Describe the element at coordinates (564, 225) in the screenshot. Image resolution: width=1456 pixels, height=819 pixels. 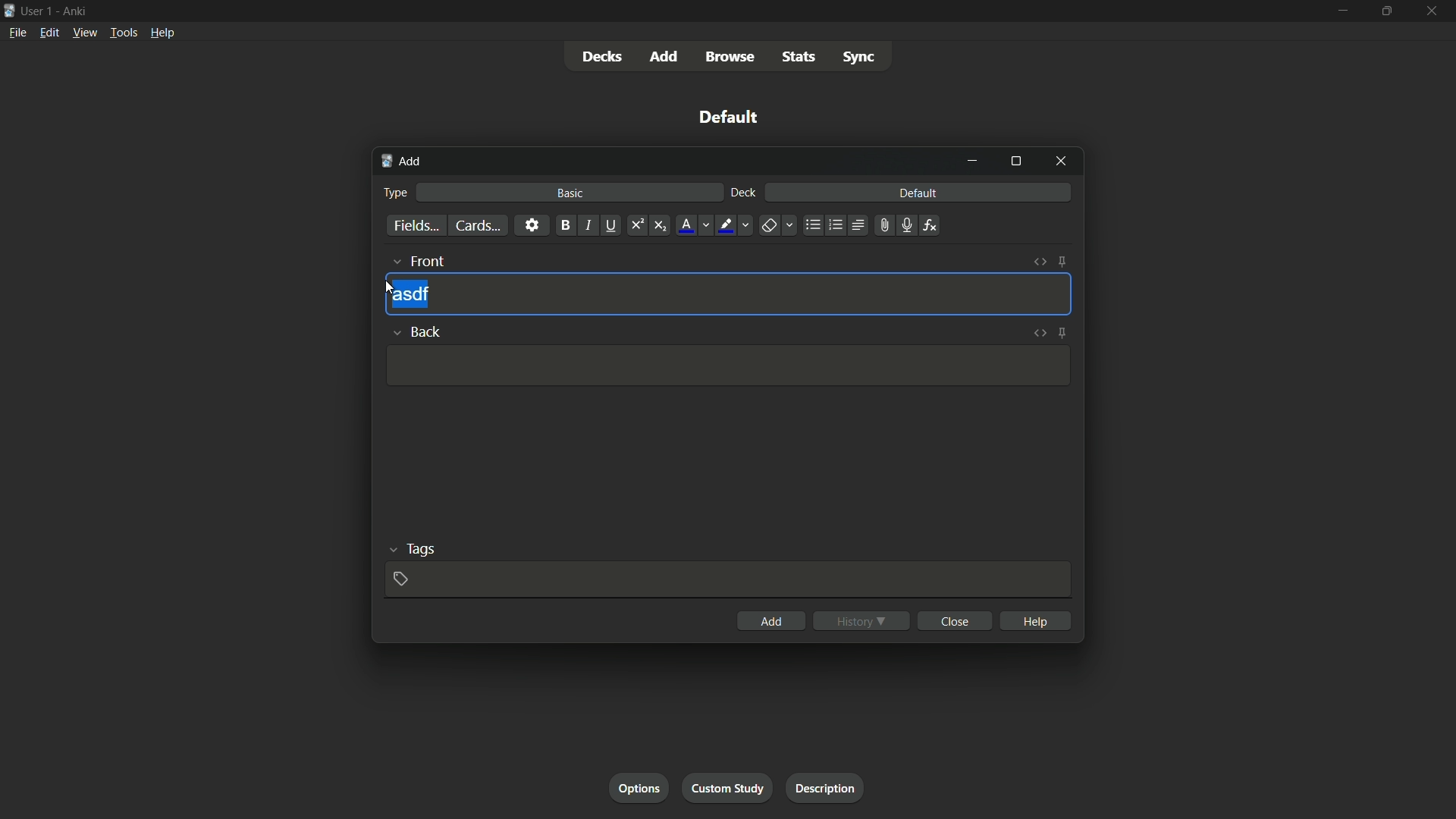
I see `bold` at that location.